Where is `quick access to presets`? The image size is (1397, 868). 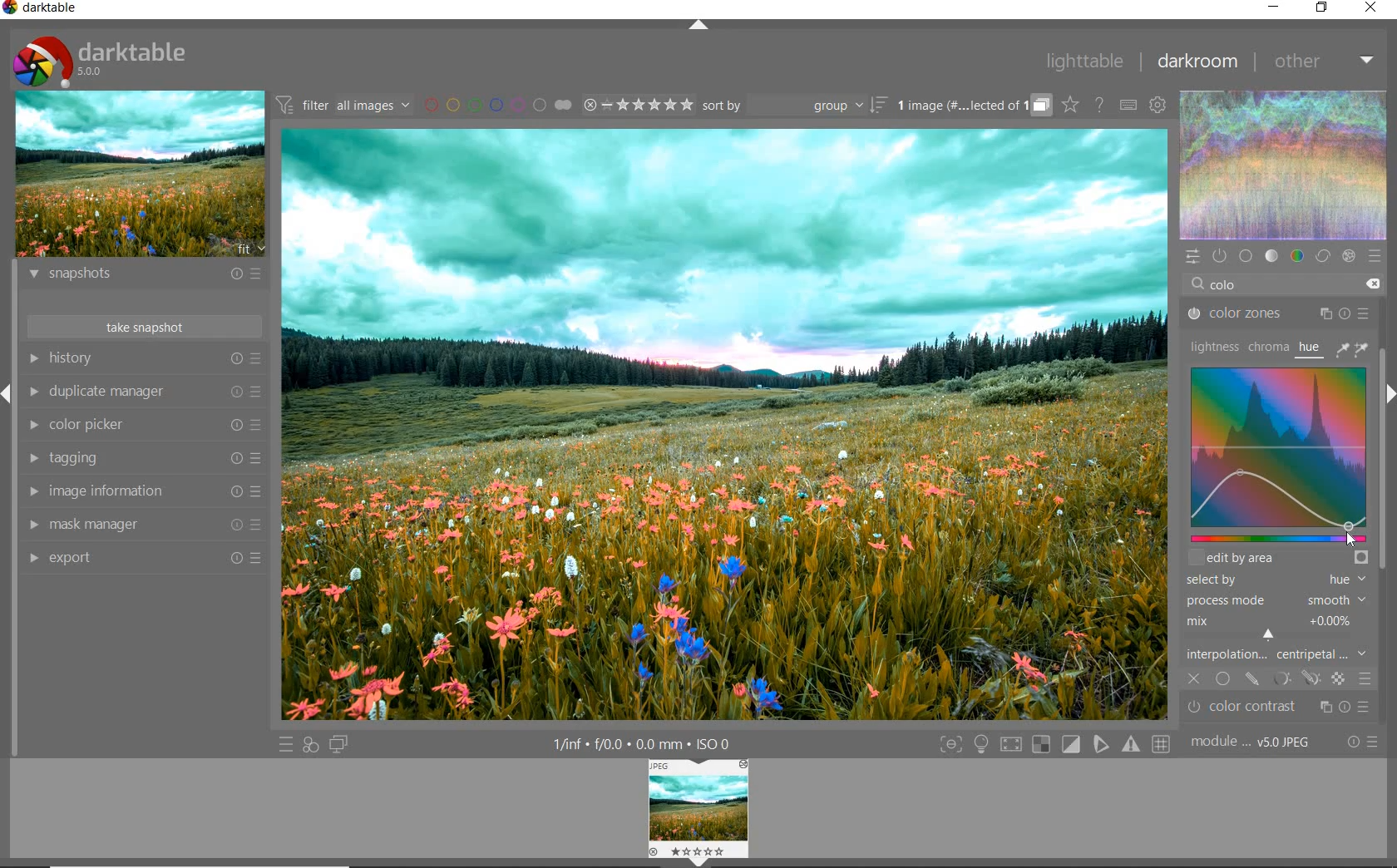
quick access to presets is located at coordinates (287, 745).